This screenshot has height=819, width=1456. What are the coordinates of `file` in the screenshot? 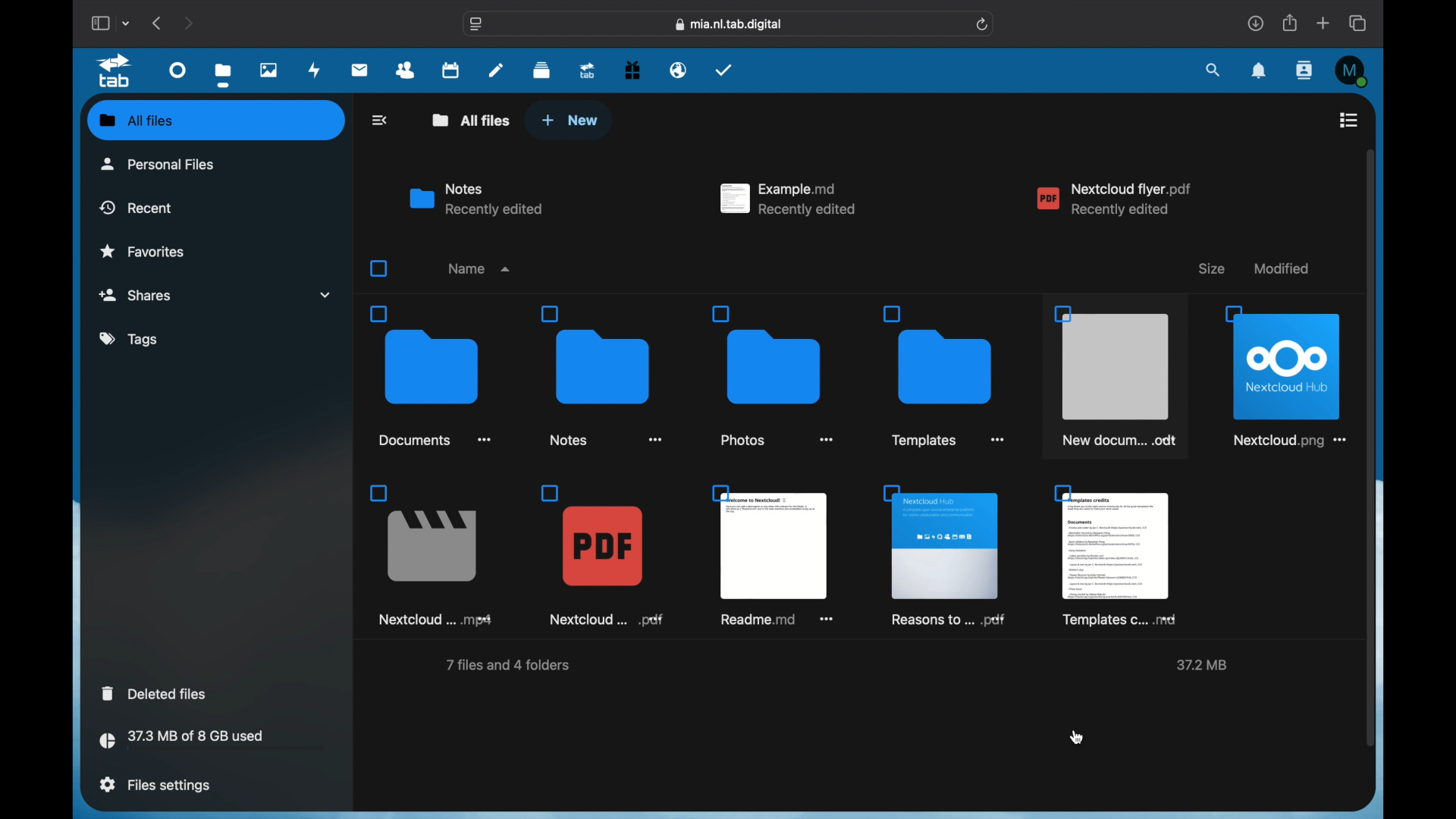 It's located at (601, 557).